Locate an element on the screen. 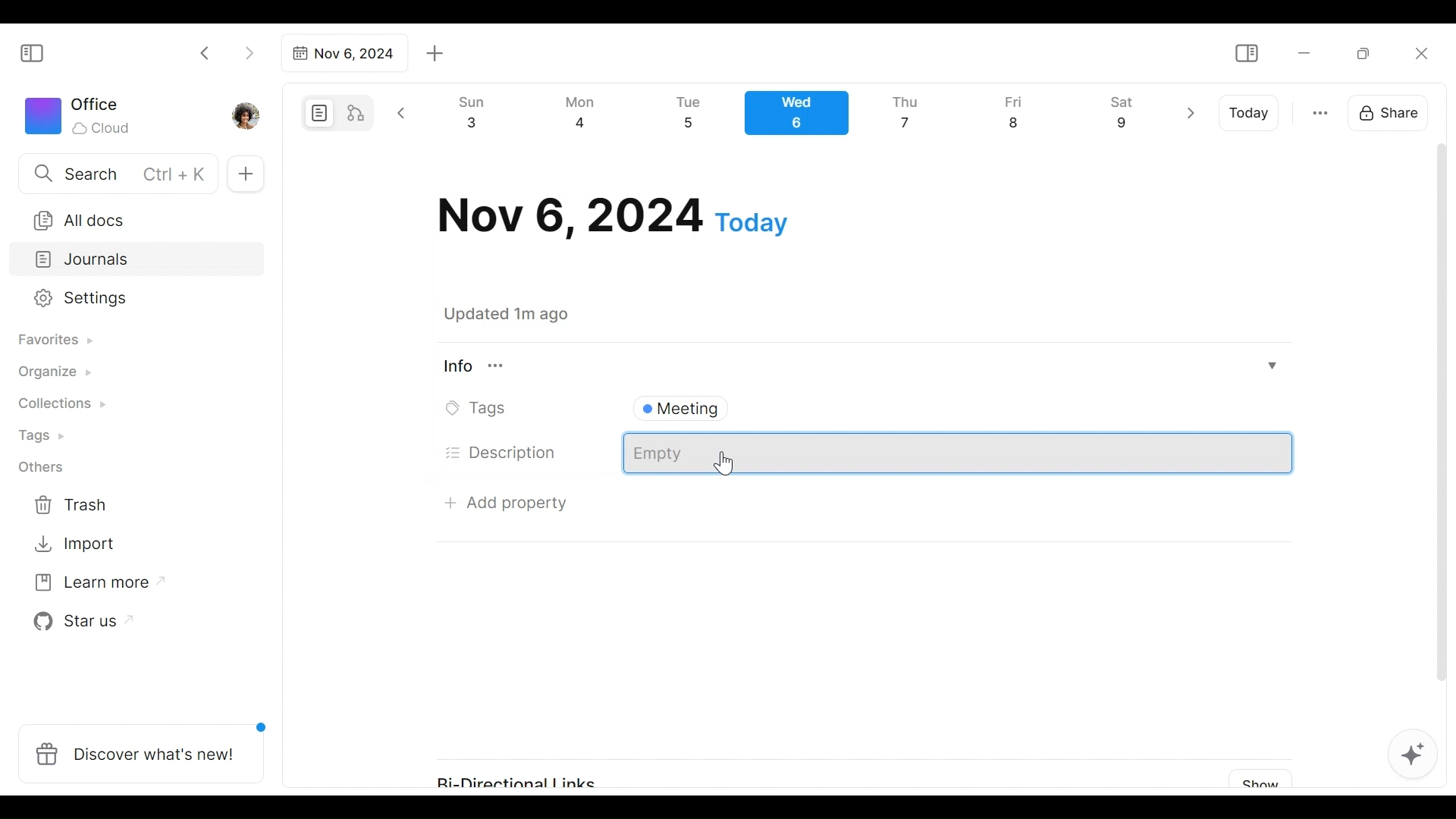  Show/Hide Sidebar is located at coordinates (1246, 54).